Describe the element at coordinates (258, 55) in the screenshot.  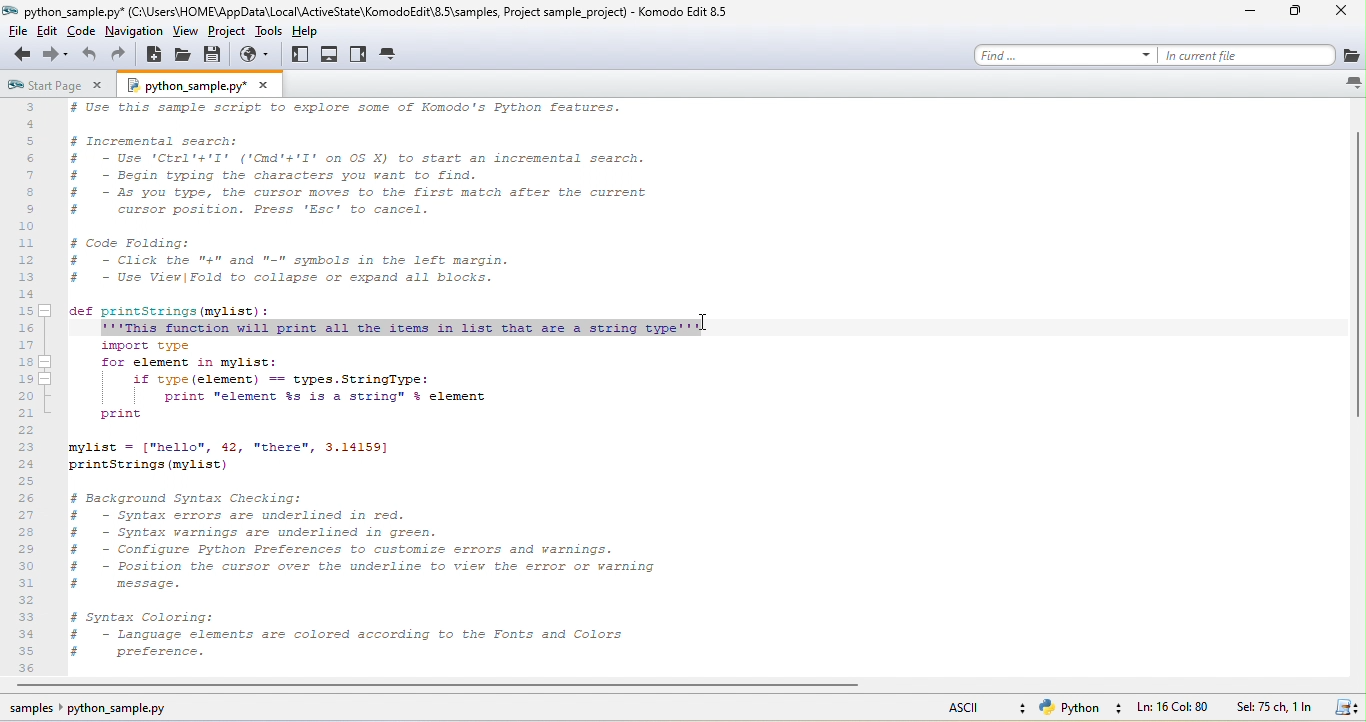
I see `browse` at that location.